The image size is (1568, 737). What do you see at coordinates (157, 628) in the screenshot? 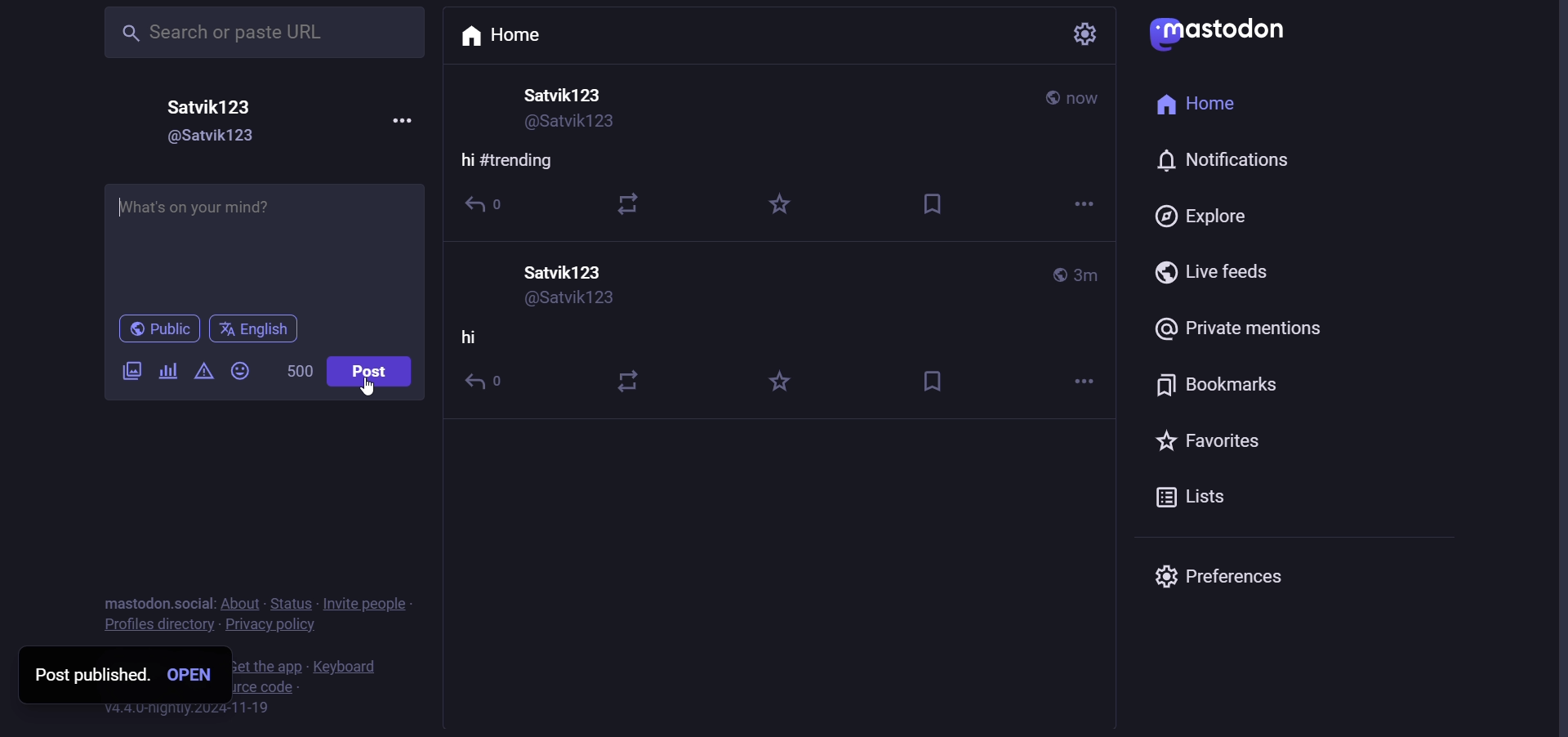
I see `profiles` at bounding box center [157, 628].